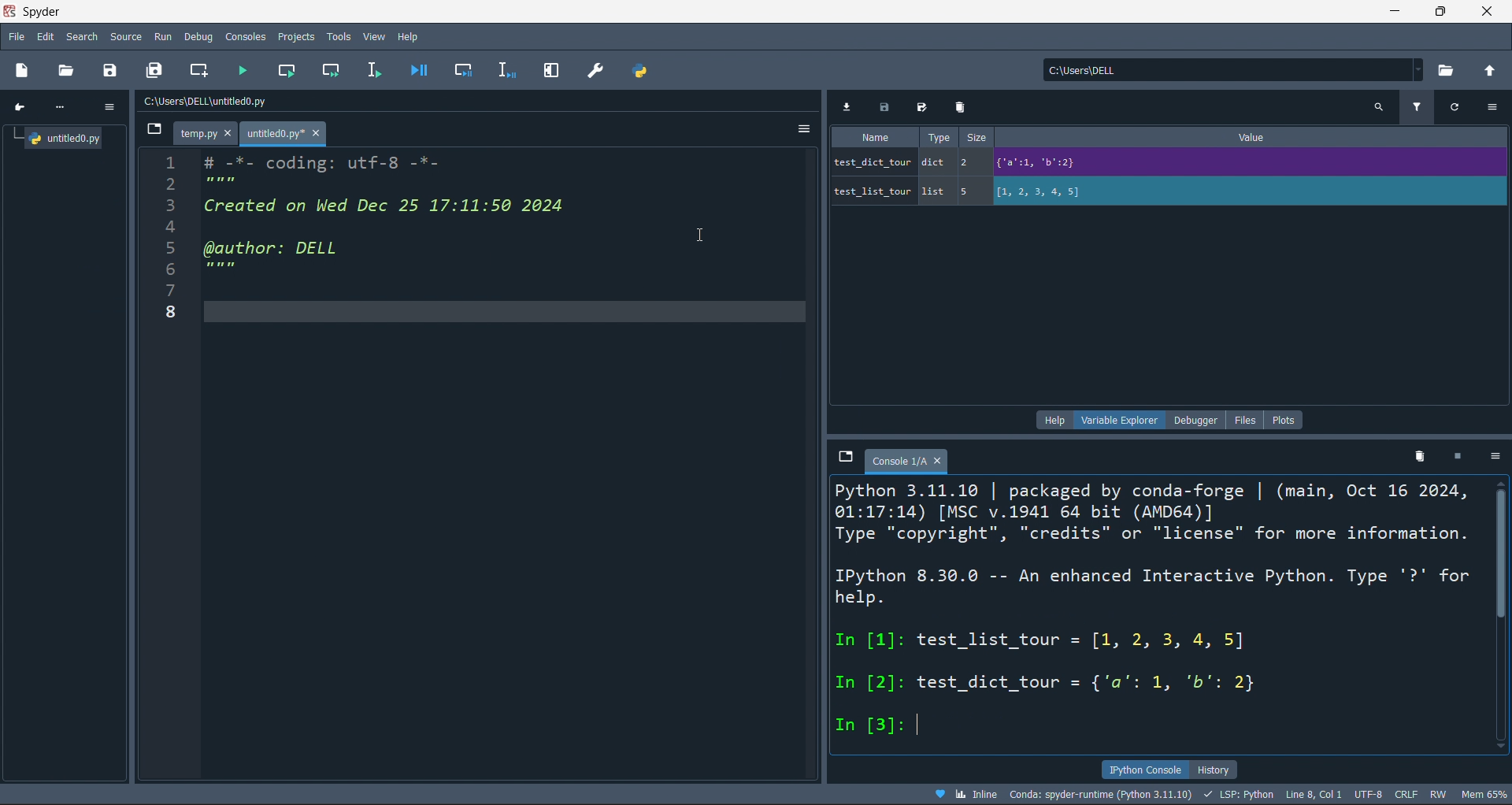  What do you see at coordinates (22, 72) in the screenshot?
I see `new file` at bounding box center [22, 72].